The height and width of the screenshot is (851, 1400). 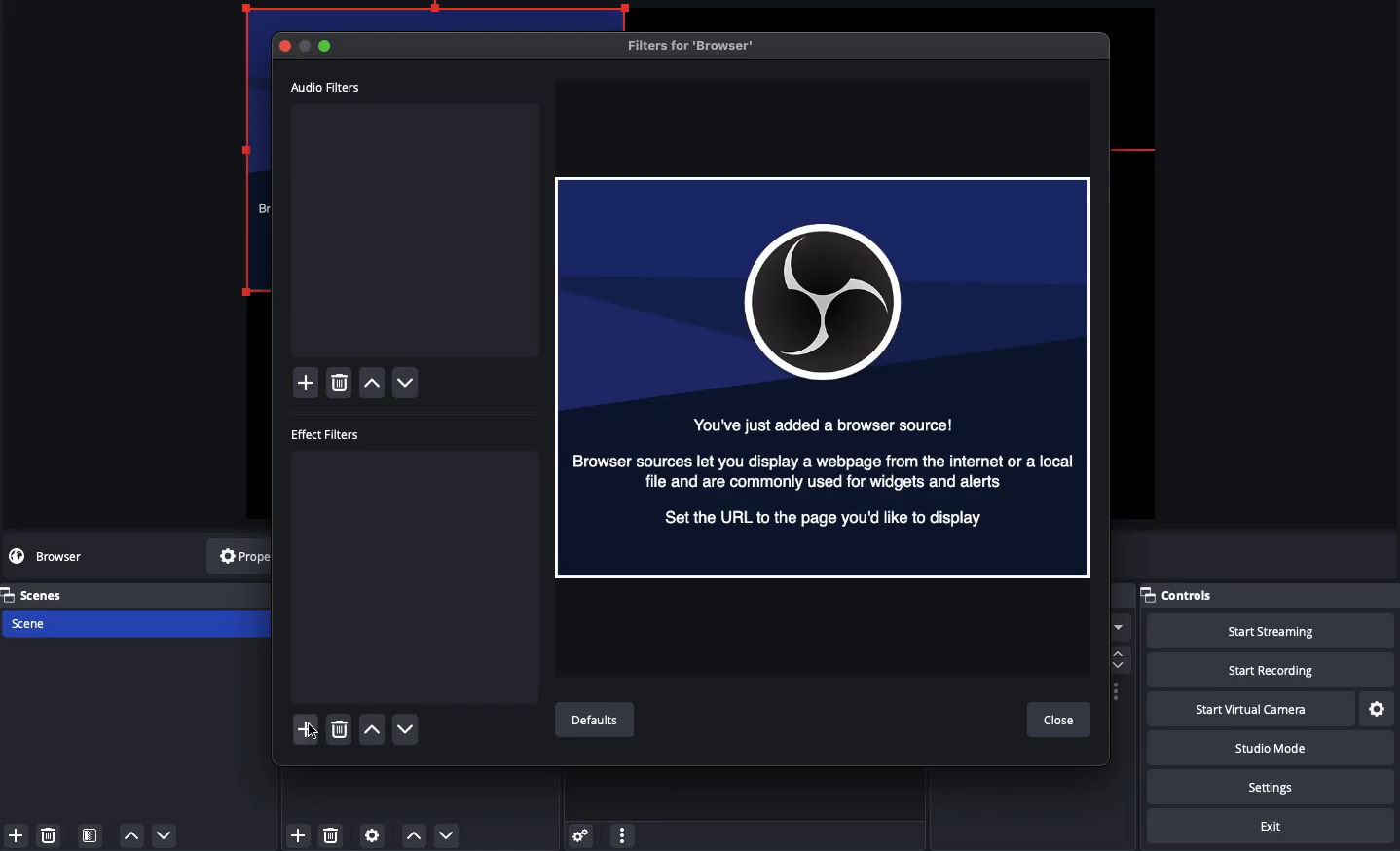 What do you see at coordinates (375, 385) in the screenshot?
I see `up` at bounding box center [375, 385].